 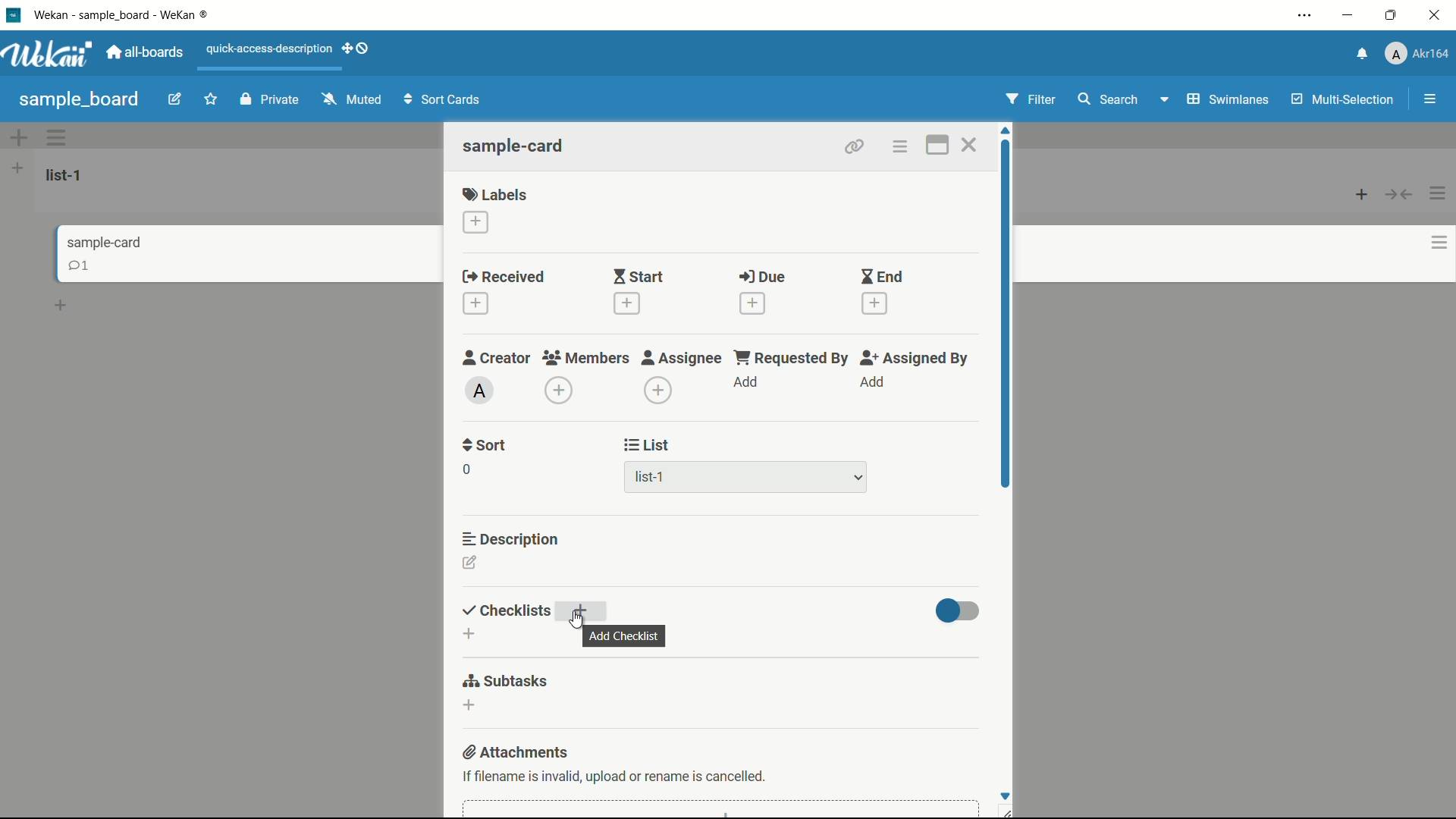 I want to click on add, so click(x=1357, y=196).